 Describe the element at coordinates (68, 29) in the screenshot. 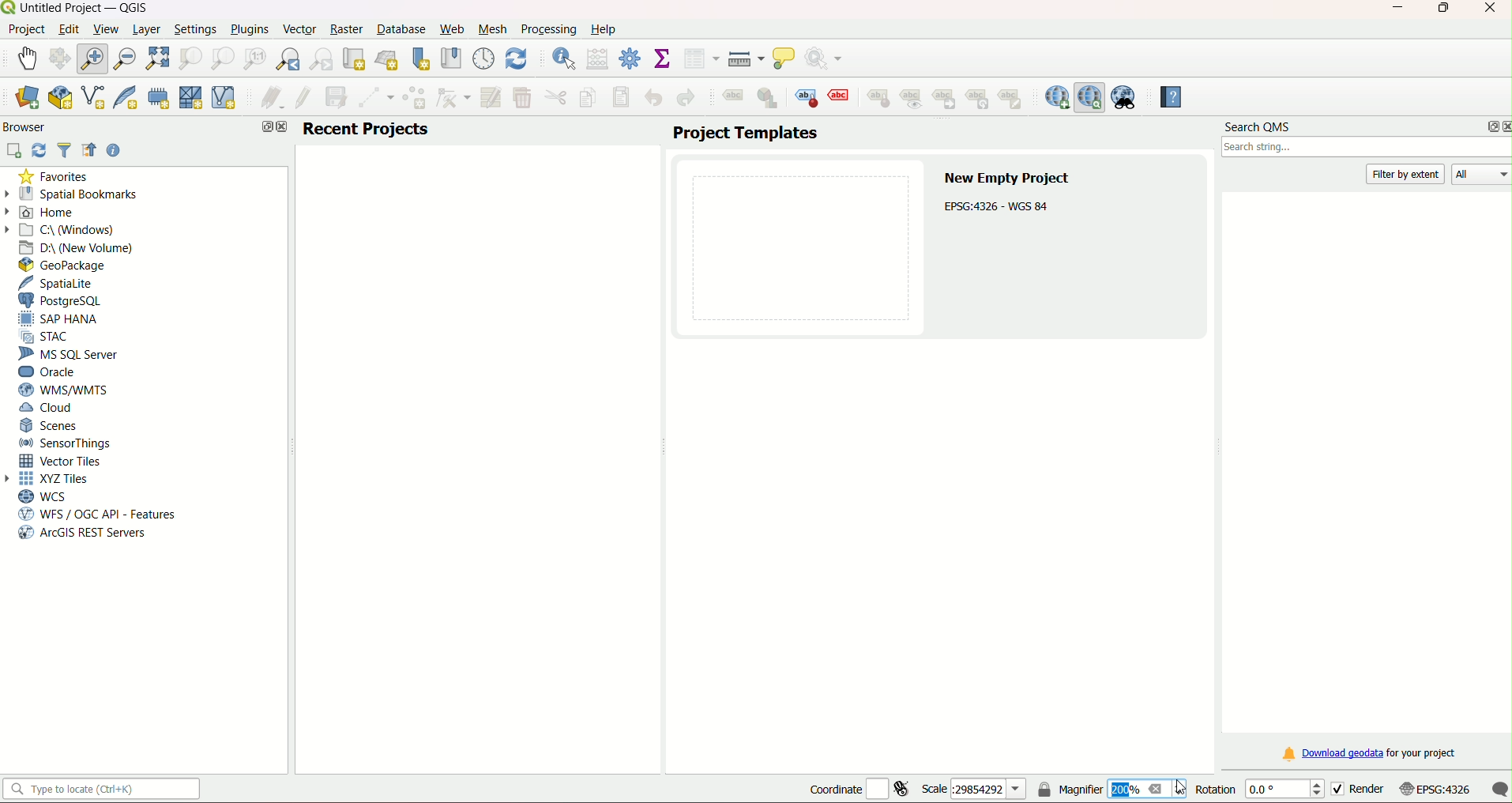

I see `Edit` at that location.